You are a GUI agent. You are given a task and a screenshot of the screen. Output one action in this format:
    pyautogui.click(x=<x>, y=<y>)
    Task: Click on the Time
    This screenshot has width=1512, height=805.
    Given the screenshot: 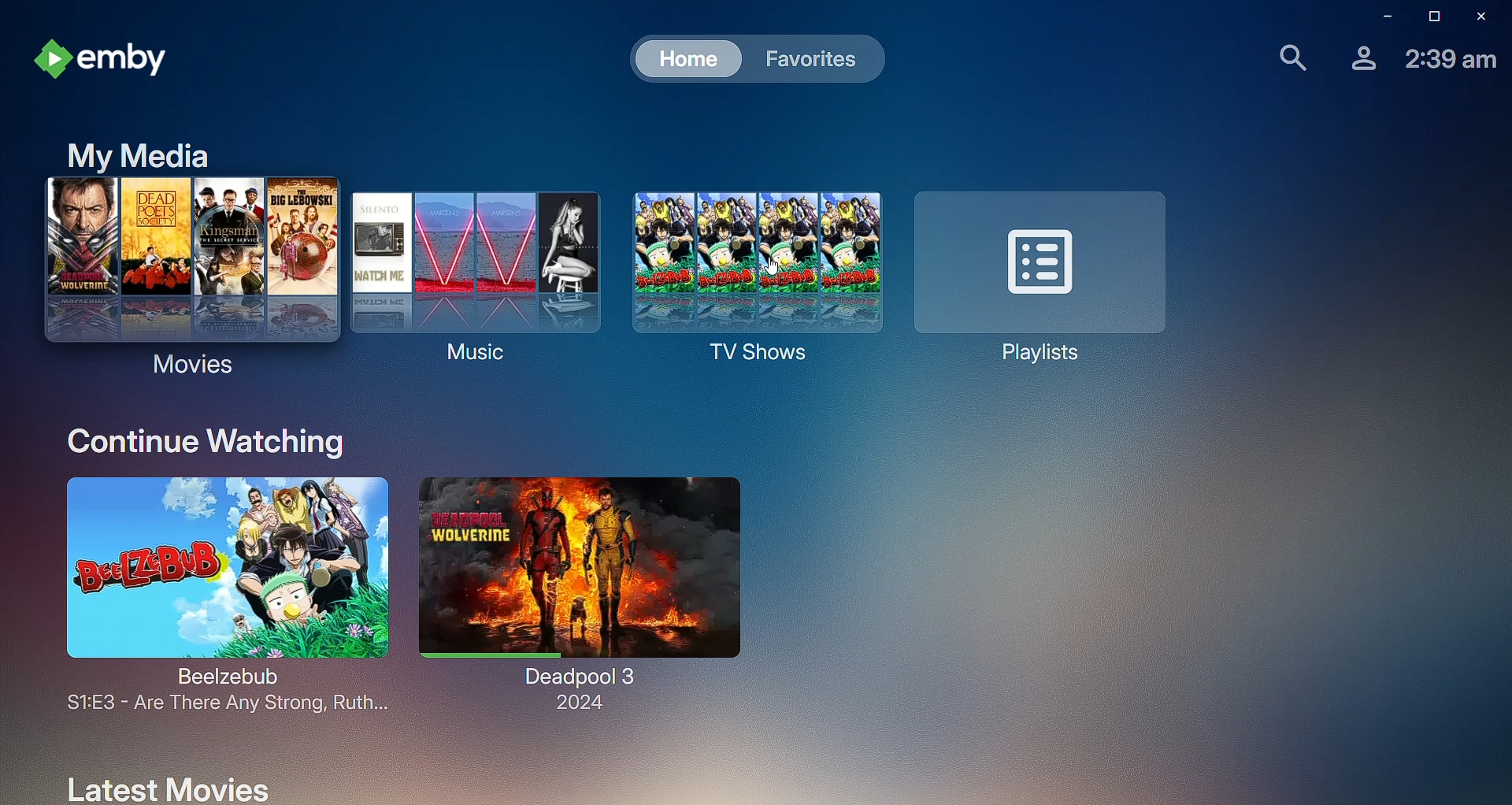 What is the action you would take?
    pyautogui.click(x=1453, y=61)
    